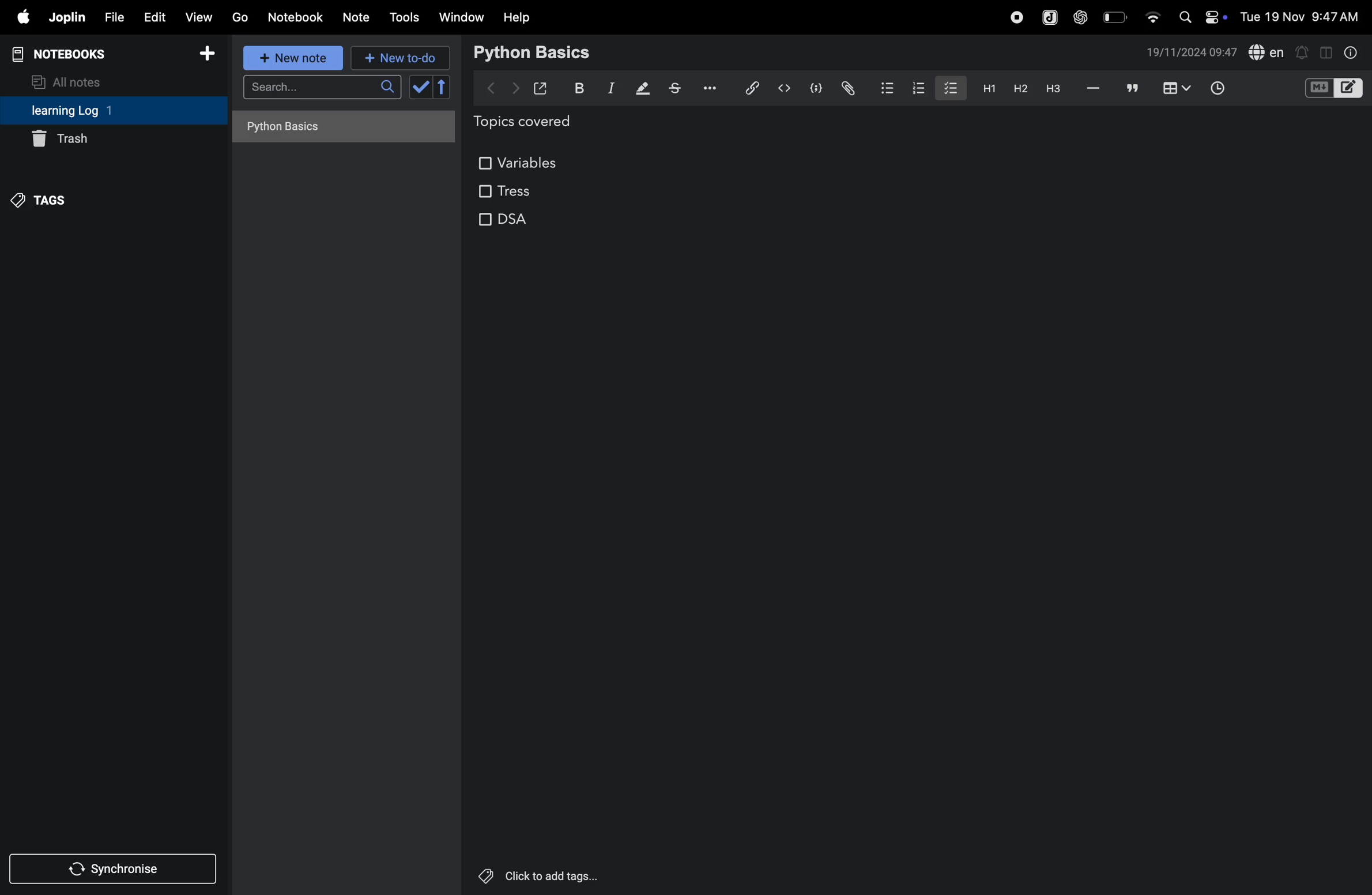 Image resolution: width=1372 pixels, height=895 pixels. What do you see at coordinates (1349, 52) in the screenshot?
I see `info` at bounding box center [1349, 52].